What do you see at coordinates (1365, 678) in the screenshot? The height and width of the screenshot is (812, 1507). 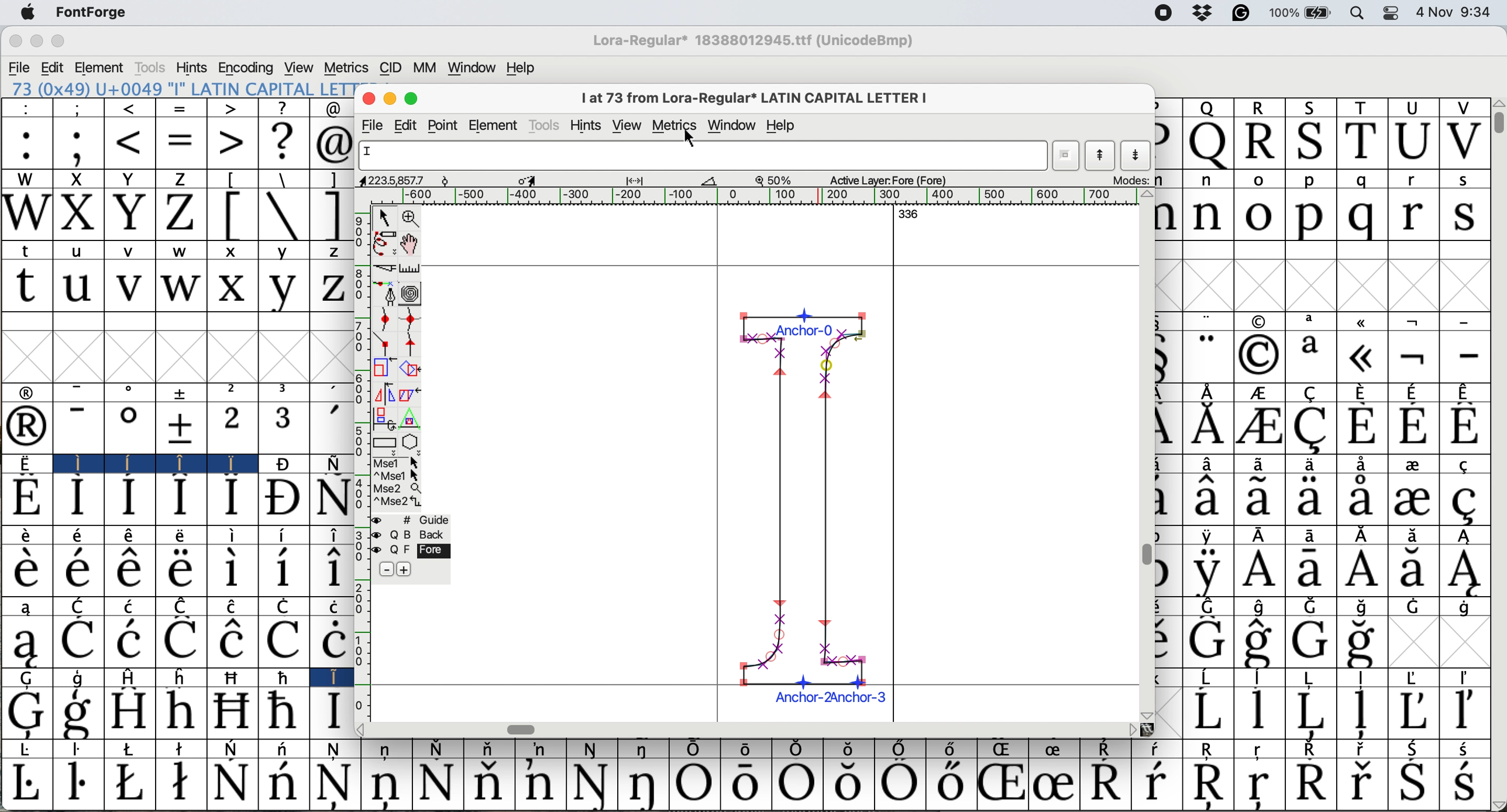 I see `Symbol` at bounding box center [1365, 678].